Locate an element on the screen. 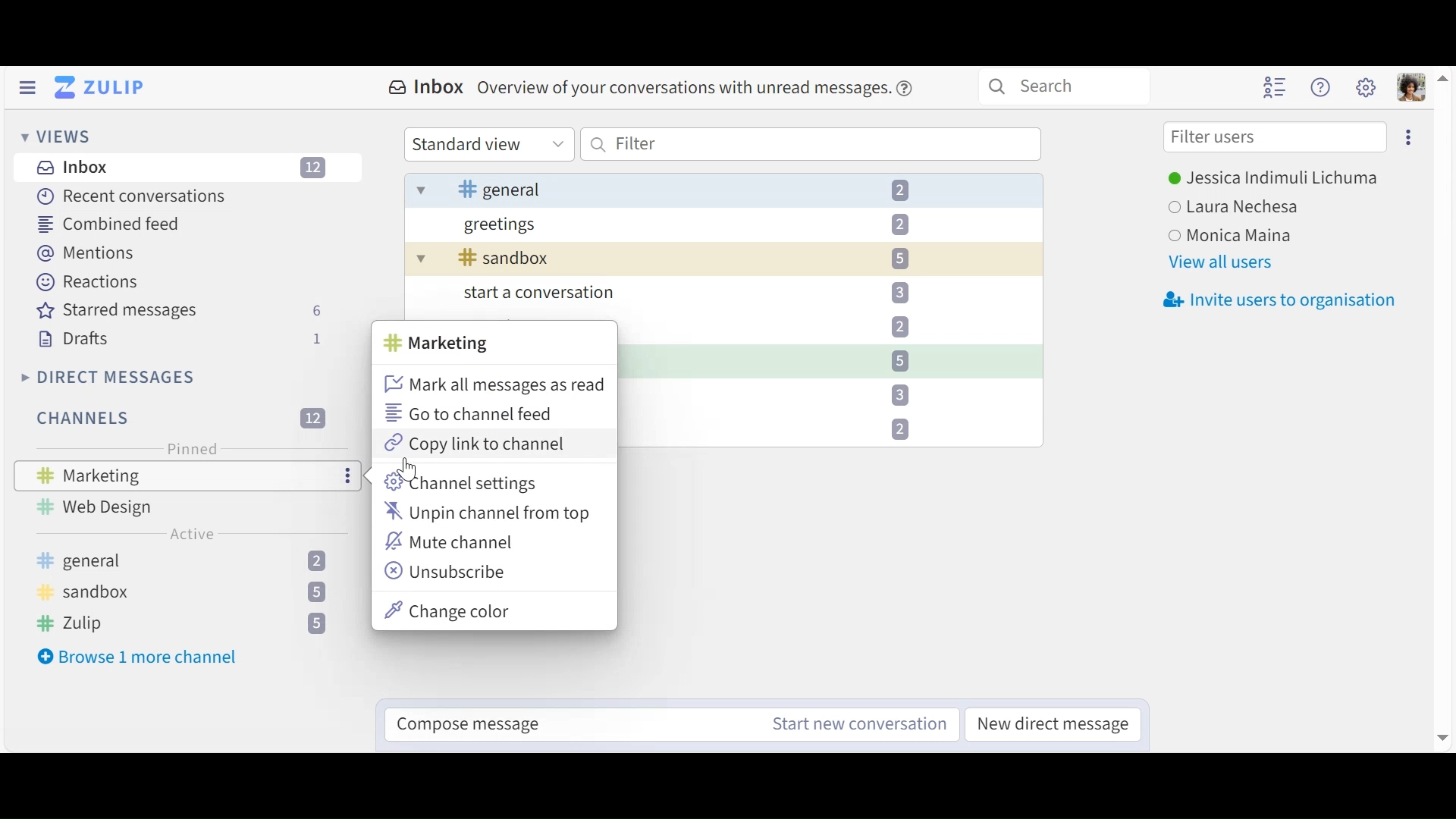  Main menu is located at coordinates (1367, 86).